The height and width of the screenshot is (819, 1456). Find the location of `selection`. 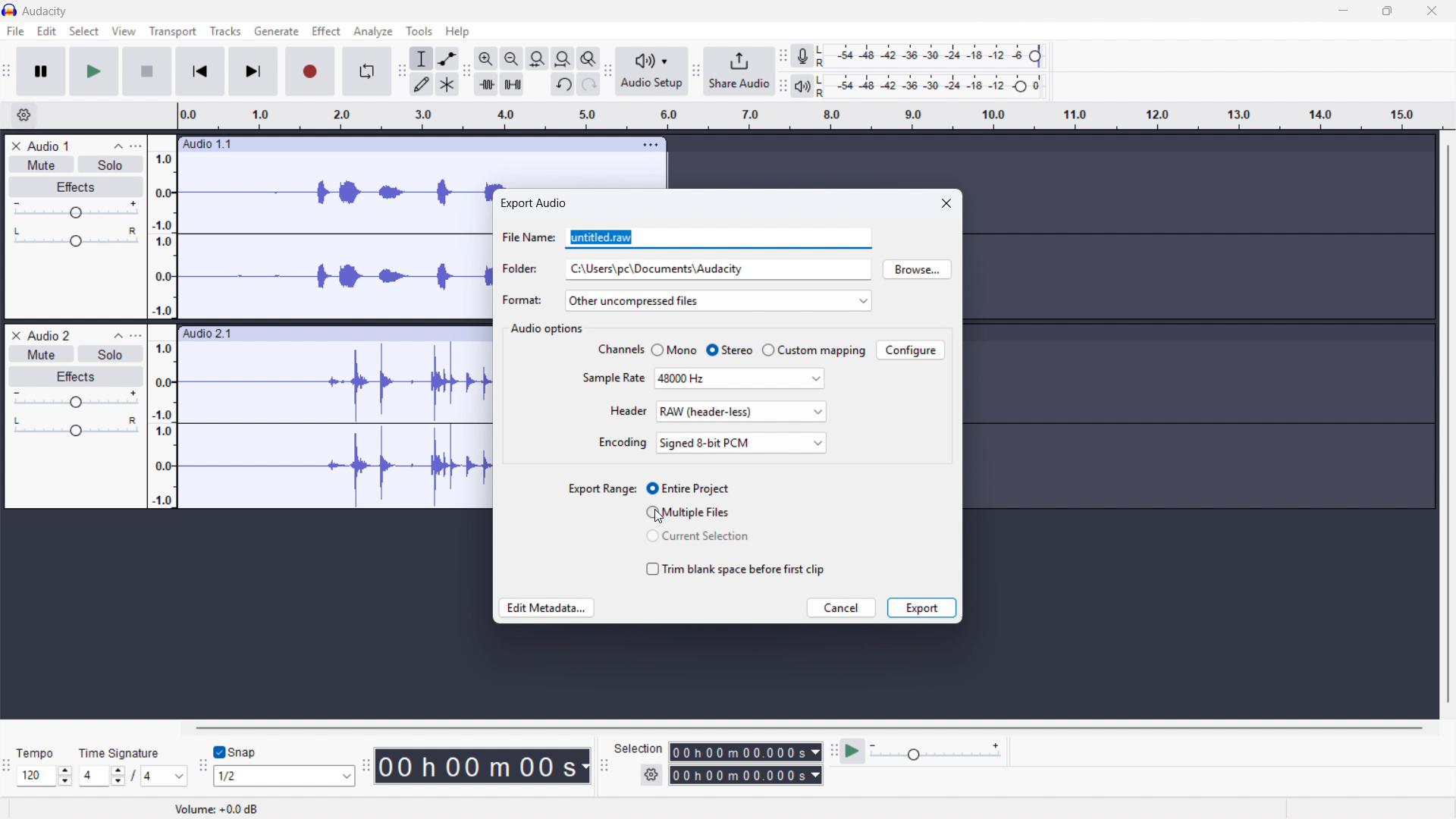

selection is located at coordinates (640, 748).